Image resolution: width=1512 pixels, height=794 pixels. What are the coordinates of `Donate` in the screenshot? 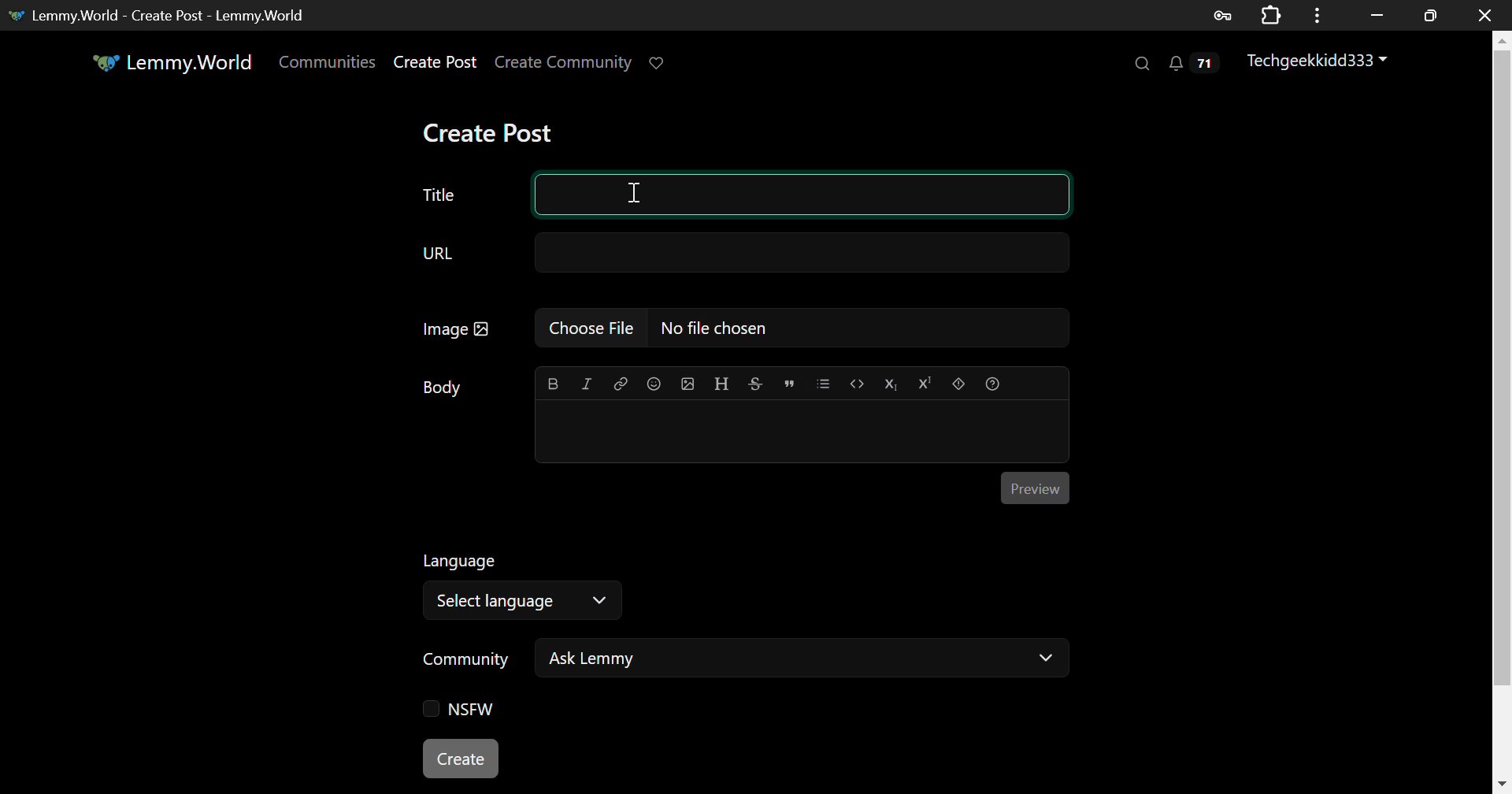 It's located at (663, 64).